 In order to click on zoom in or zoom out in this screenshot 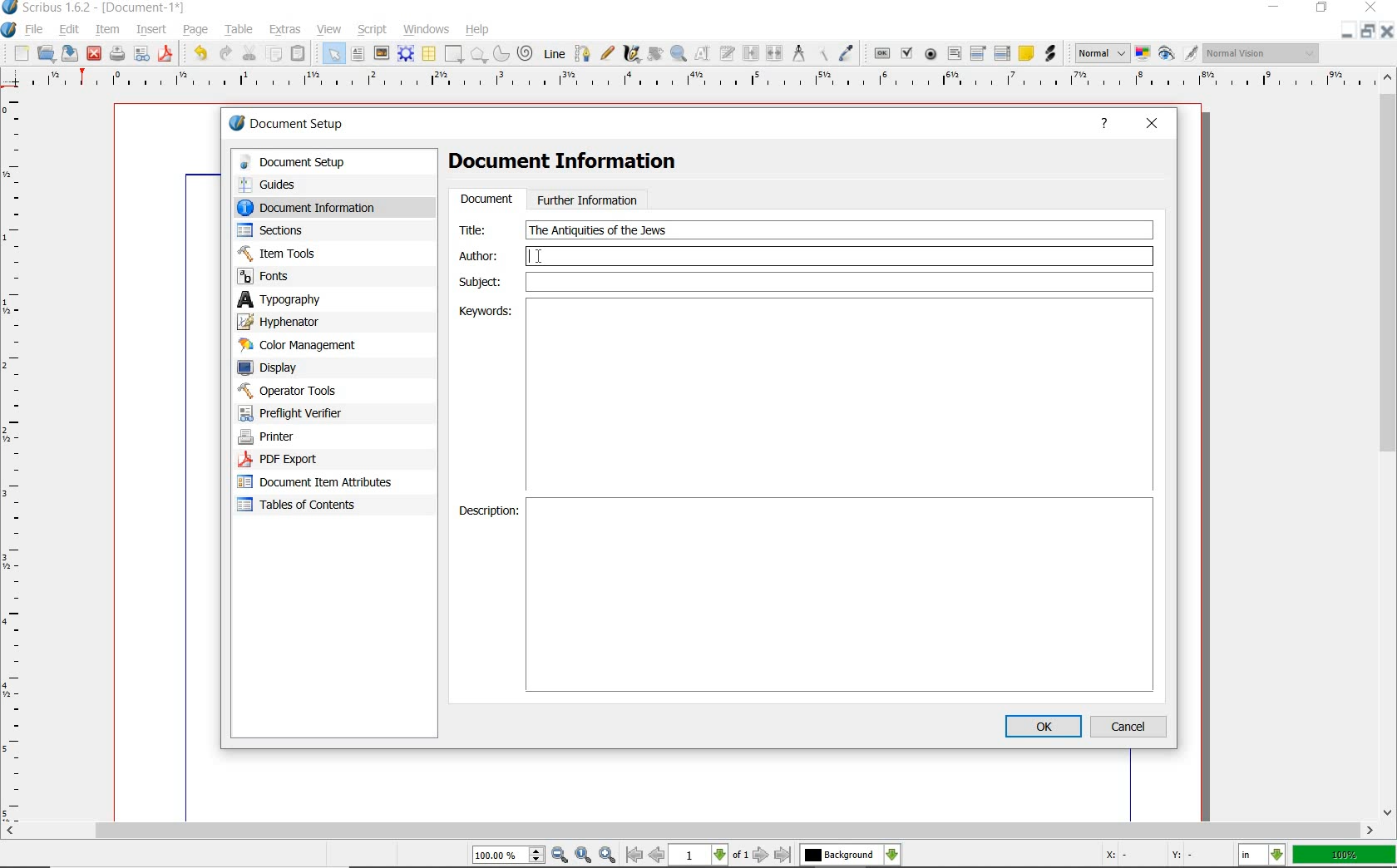, I will do `click(679, 55)`.